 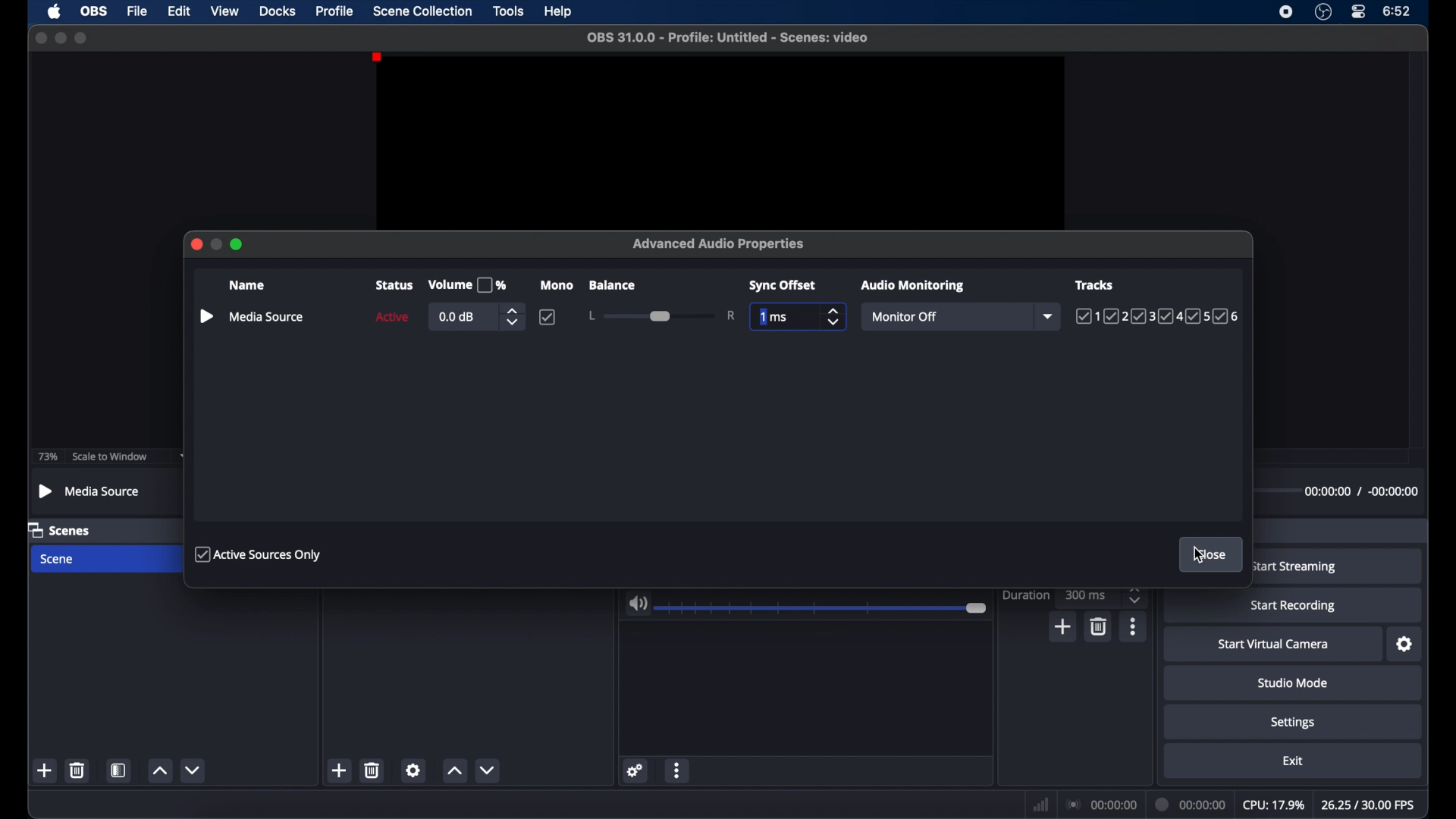 I want to click on scene, so click(x=58, y=560).